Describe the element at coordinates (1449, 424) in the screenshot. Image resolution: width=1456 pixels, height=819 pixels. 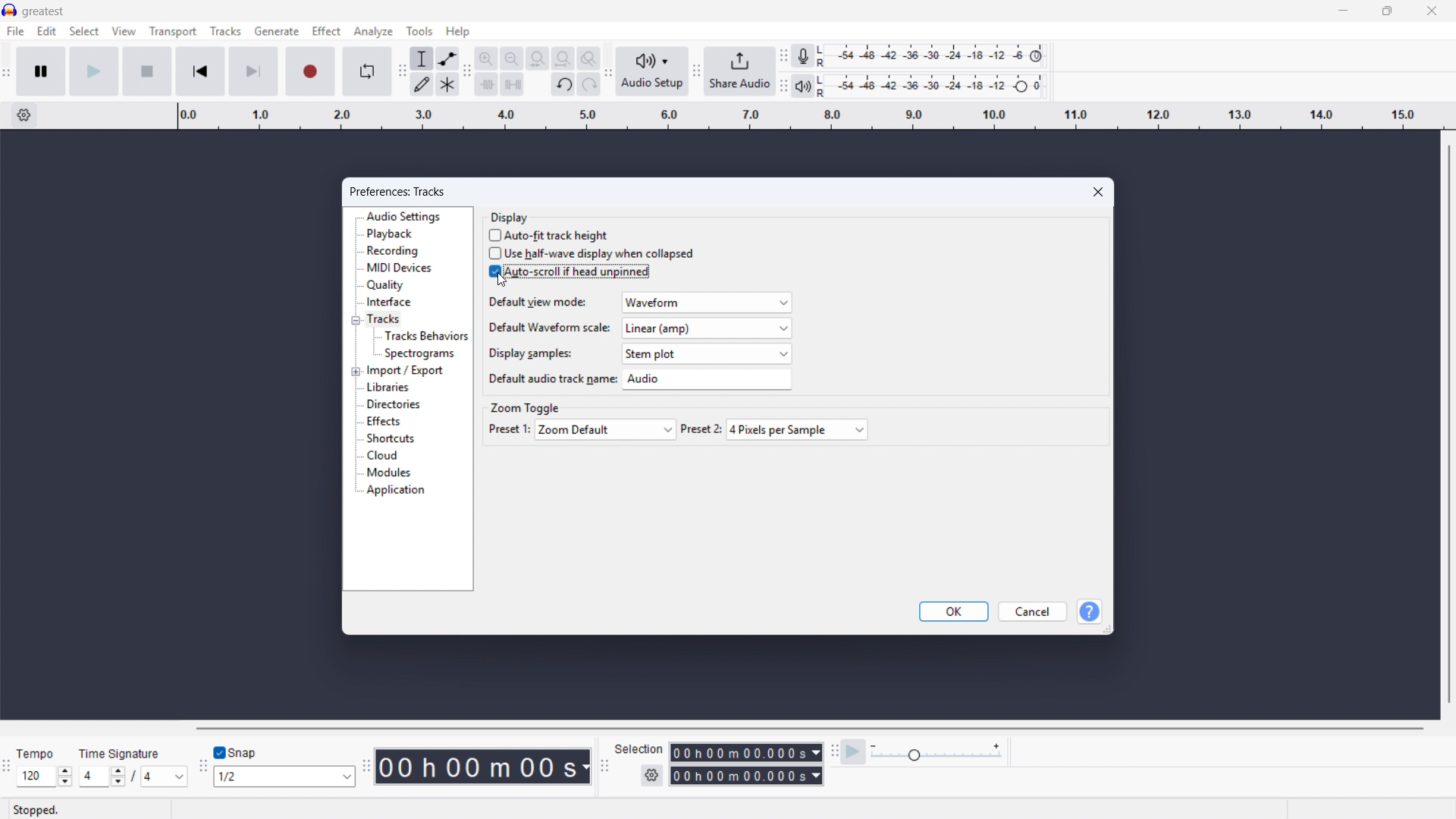
I see `Vertical scroll bar ` at that location.